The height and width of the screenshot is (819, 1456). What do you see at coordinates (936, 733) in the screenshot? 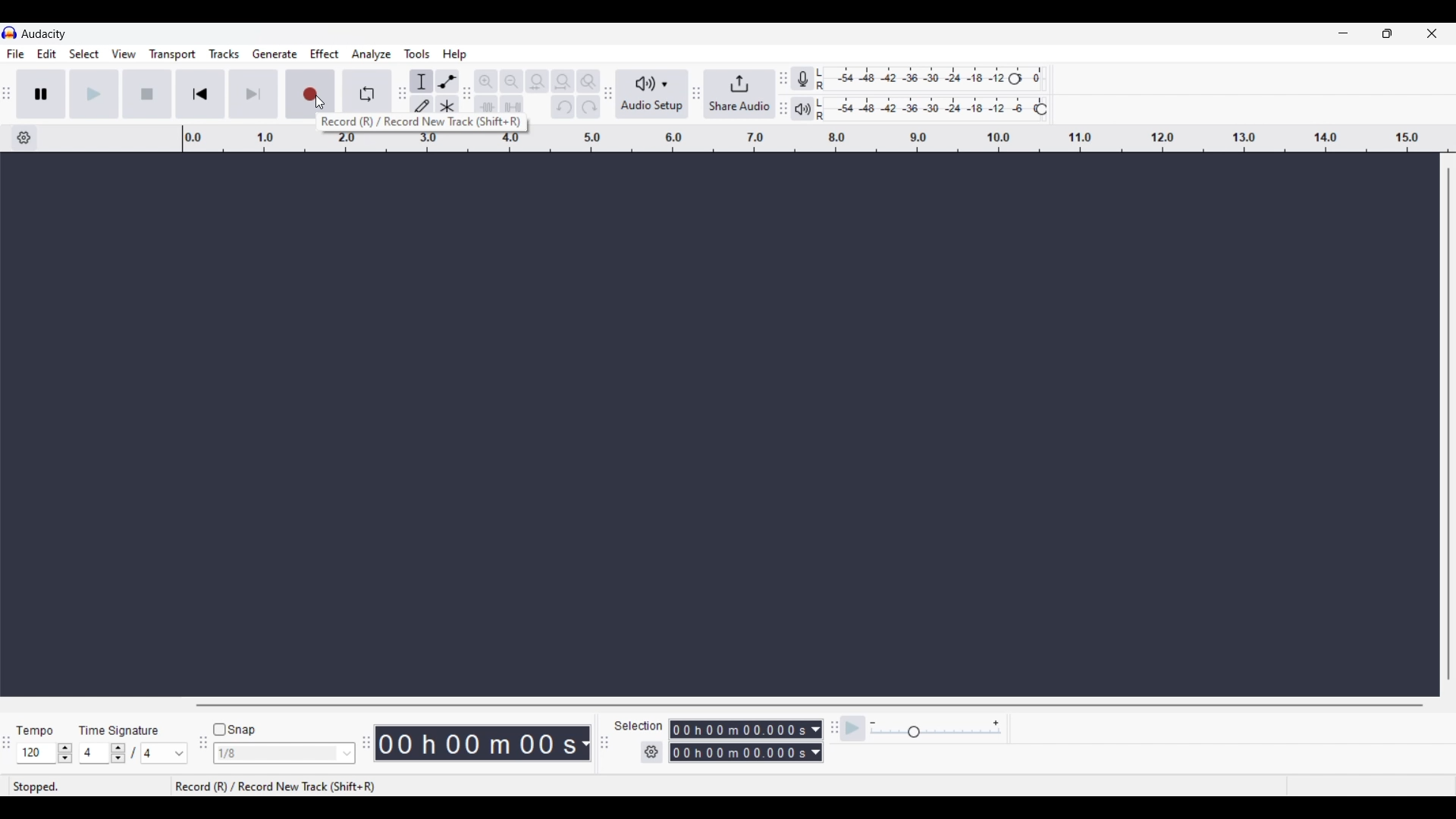
I see `Slider to change playback speed` at bounding box center [936, 733].